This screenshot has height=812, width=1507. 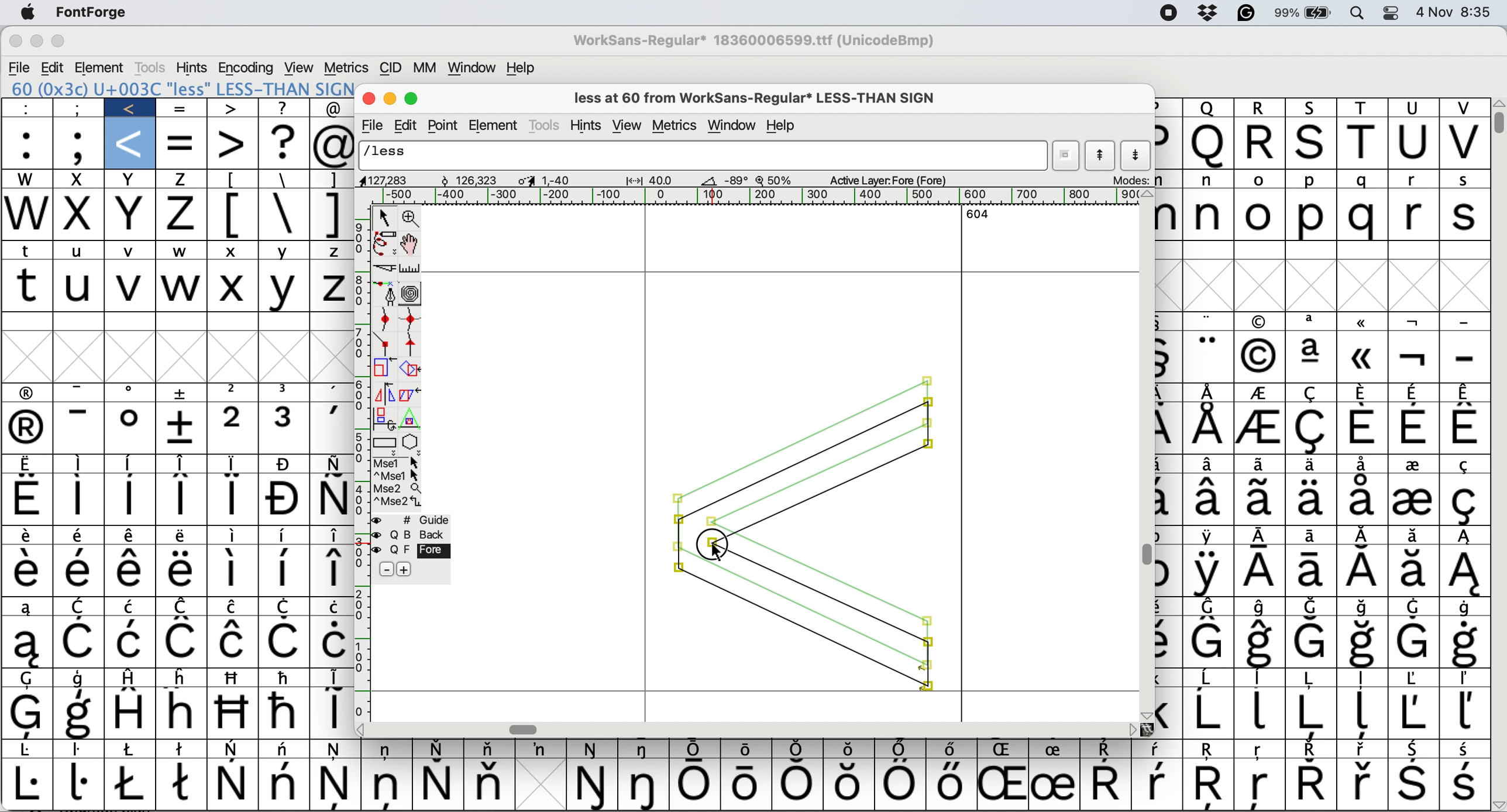 What do you see at coordinates (1169, 218) in the screenshot?
I see `m` at bounding box center [1169, 218].